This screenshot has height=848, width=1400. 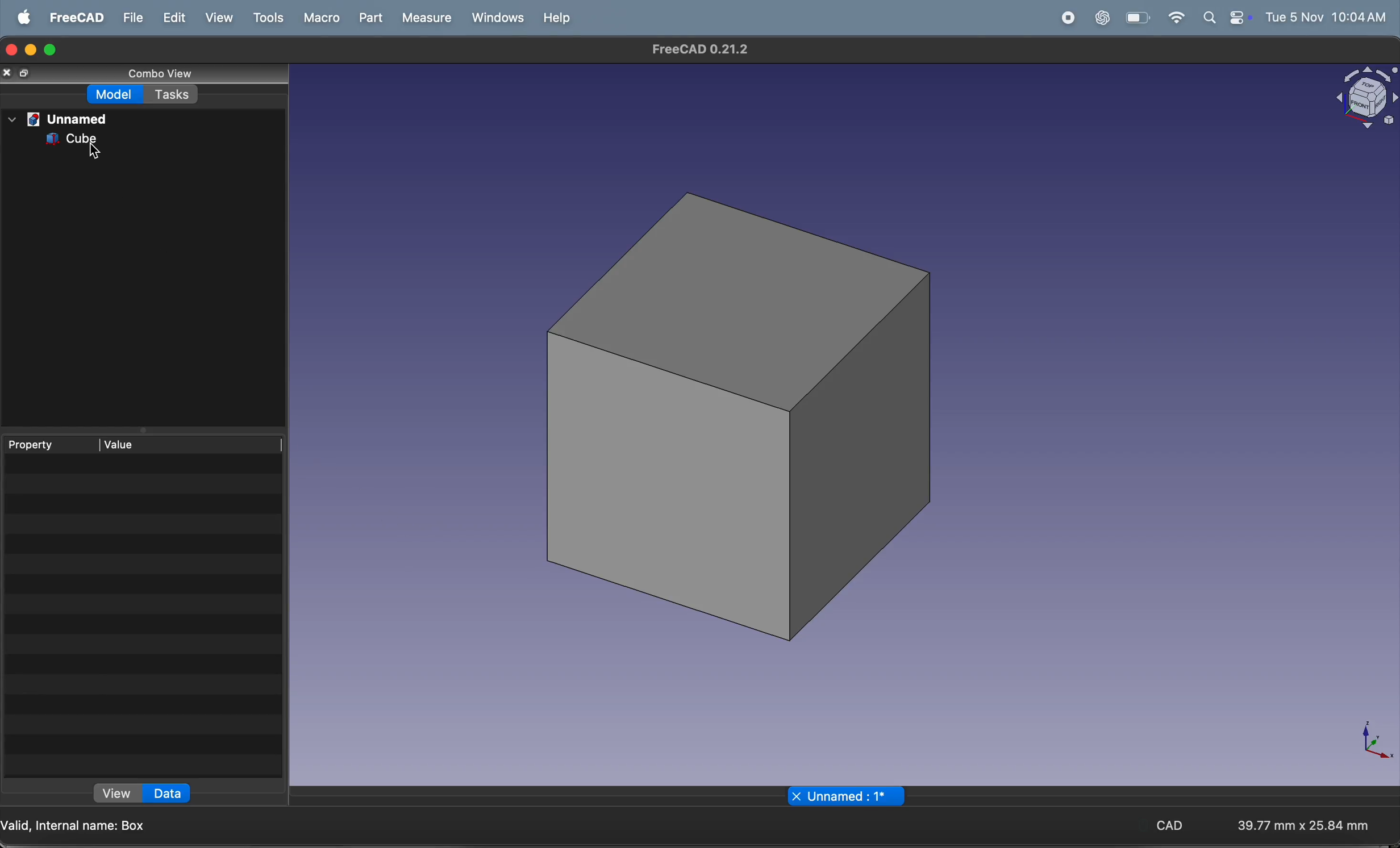 I want to click on view, so click(x=217, y=16).